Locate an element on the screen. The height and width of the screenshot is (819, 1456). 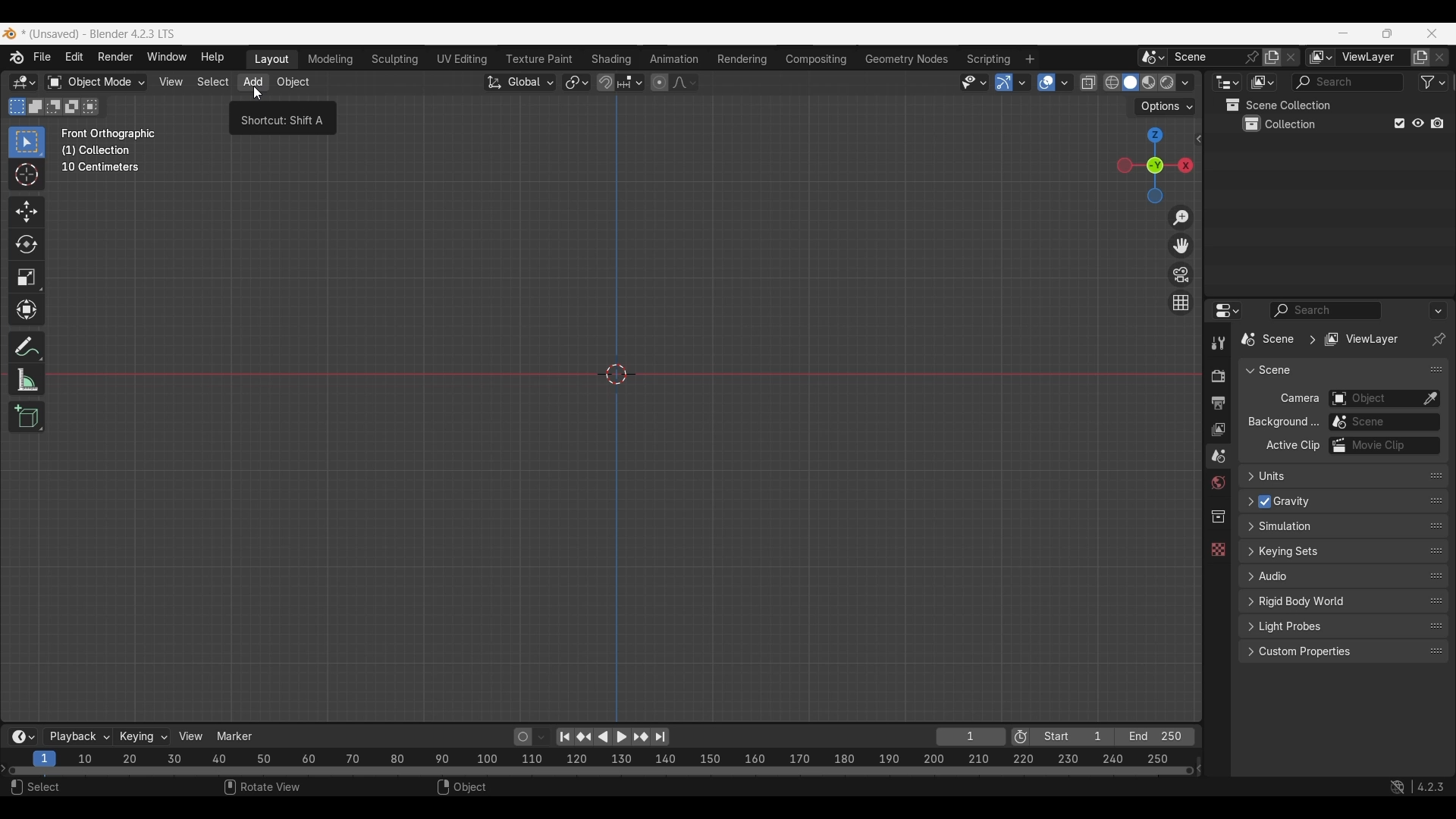
Add menu is located at coordinates (253, 82).